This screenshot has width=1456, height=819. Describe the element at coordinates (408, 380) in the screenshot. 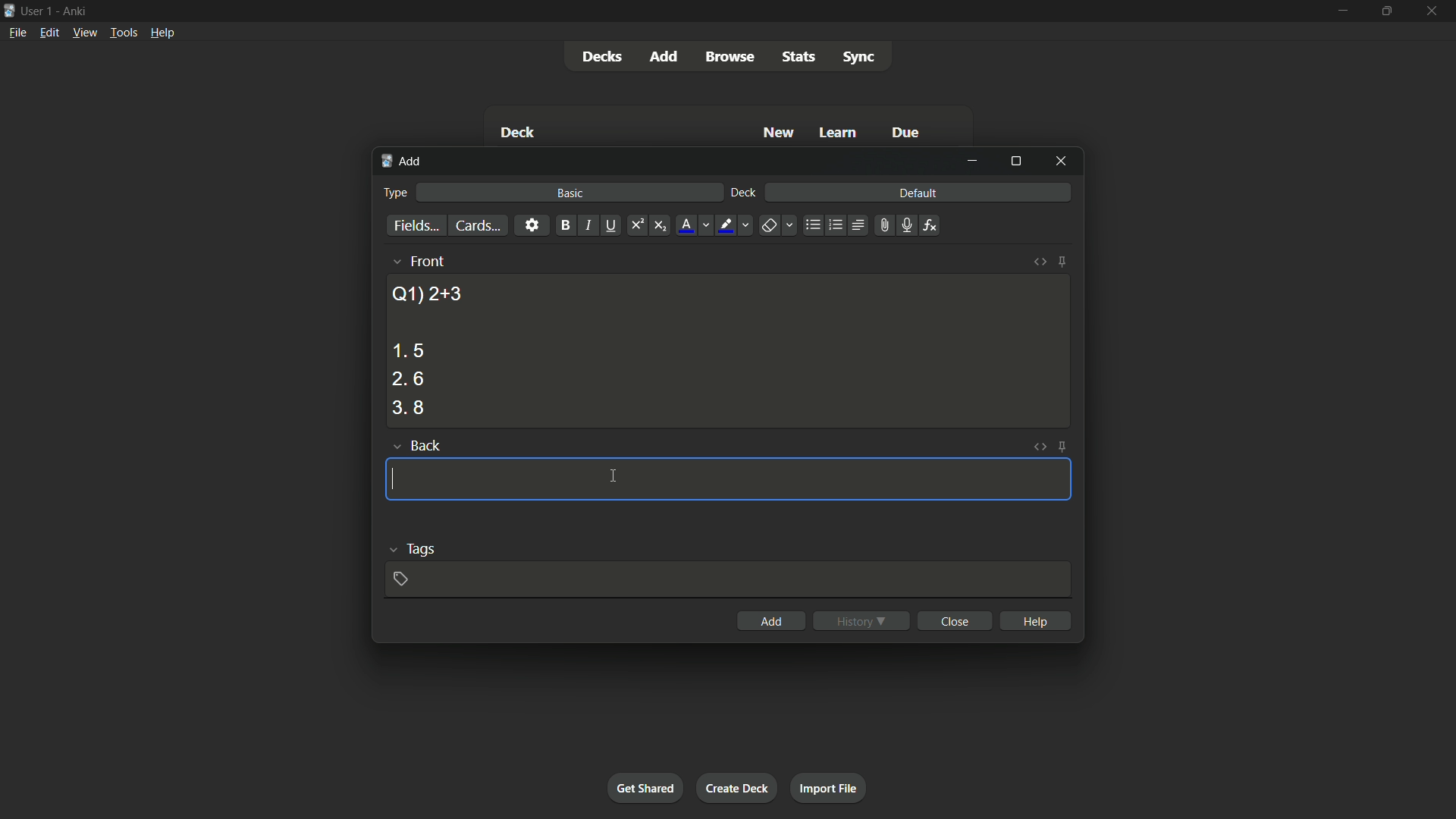

I see `option 2` at that location.